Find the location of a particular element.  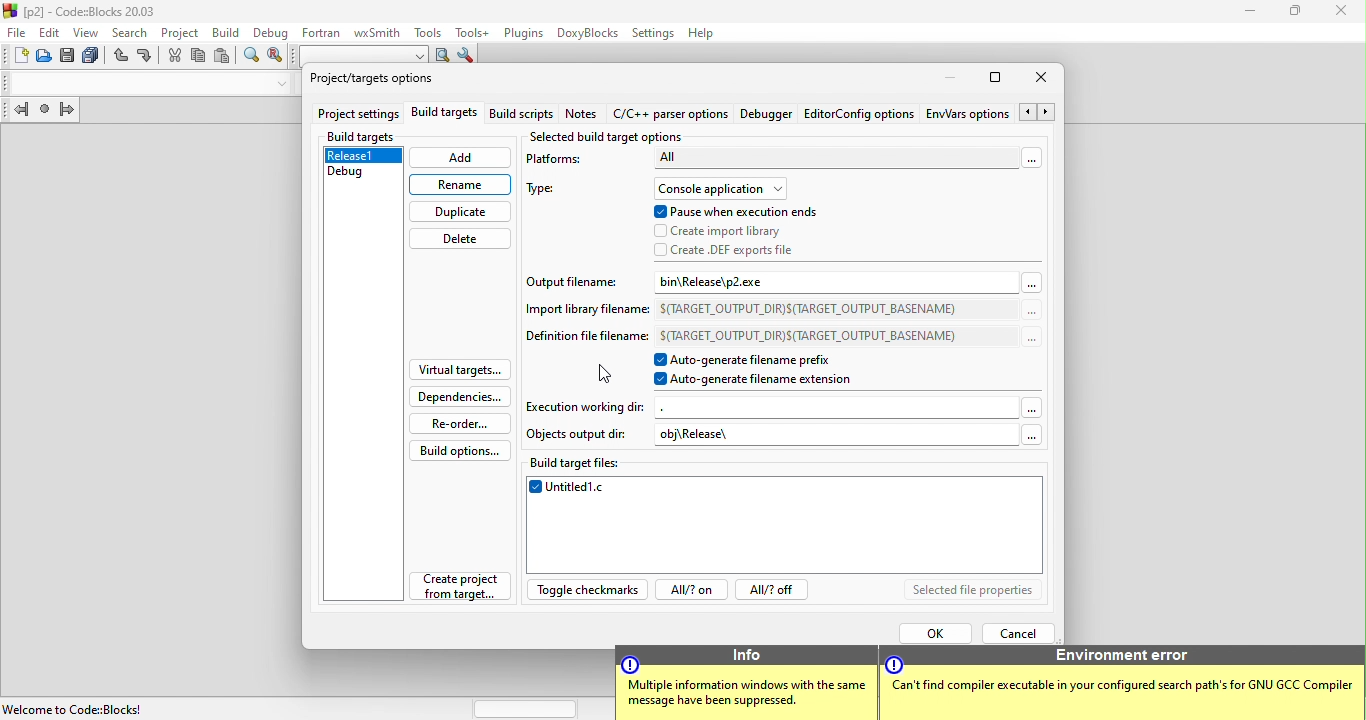

execution working dir is located at coordinates (588, 406).